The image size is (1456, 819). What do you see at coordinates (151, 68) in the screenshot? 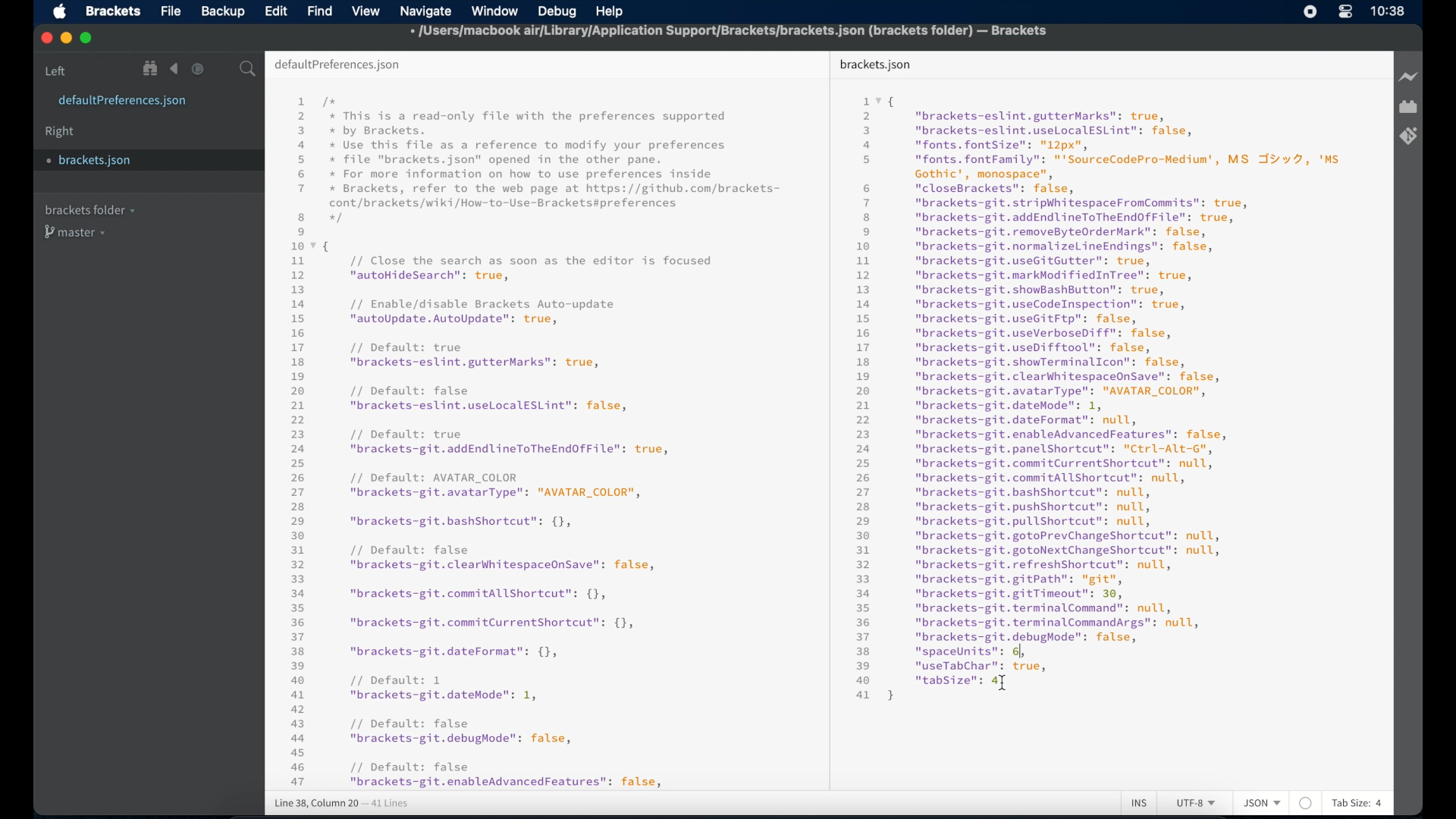
I see `show file in  tree` at bounding box center [151, 68].